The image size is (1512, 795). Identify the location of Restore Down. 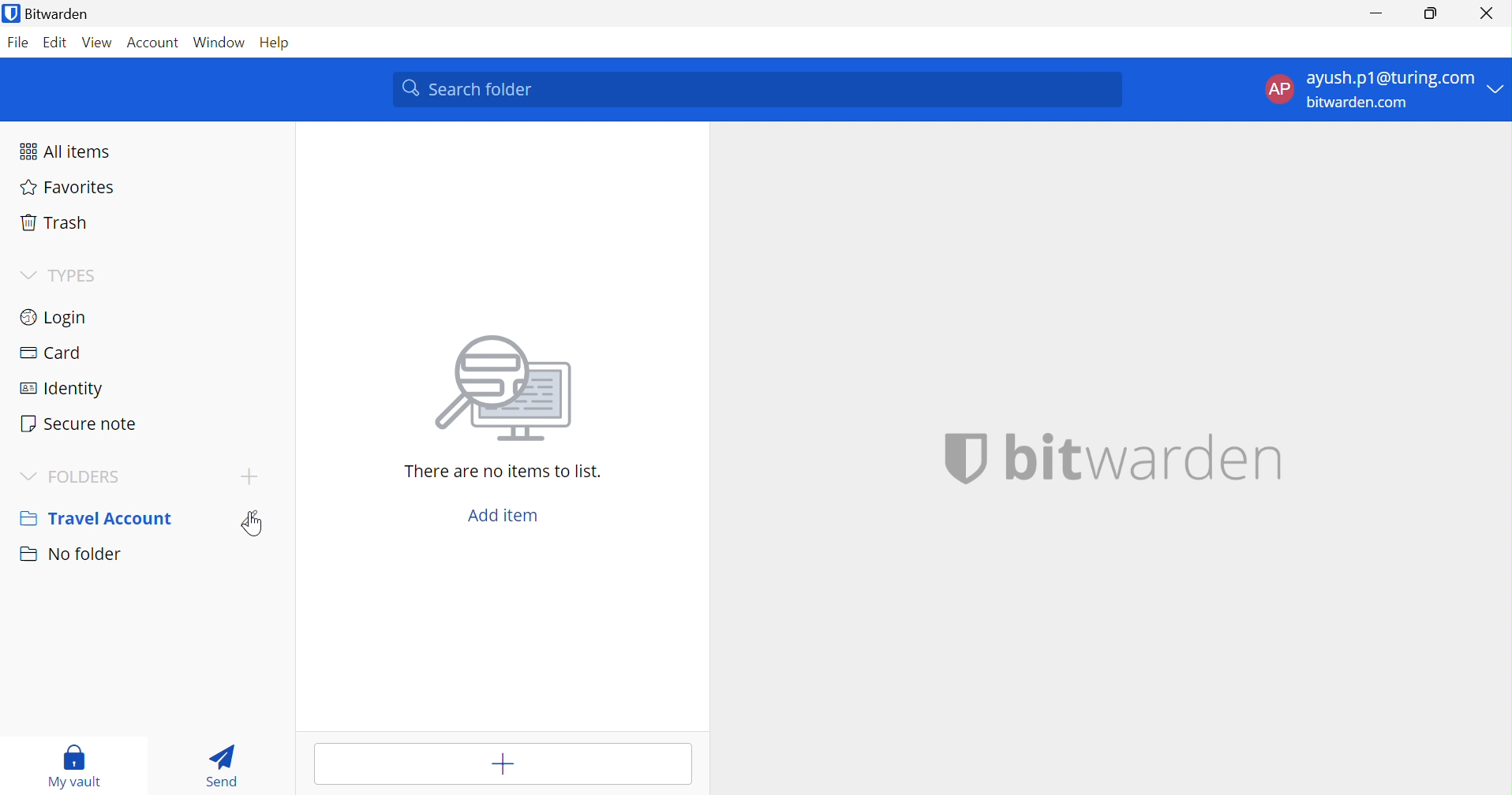
(1430, 17).